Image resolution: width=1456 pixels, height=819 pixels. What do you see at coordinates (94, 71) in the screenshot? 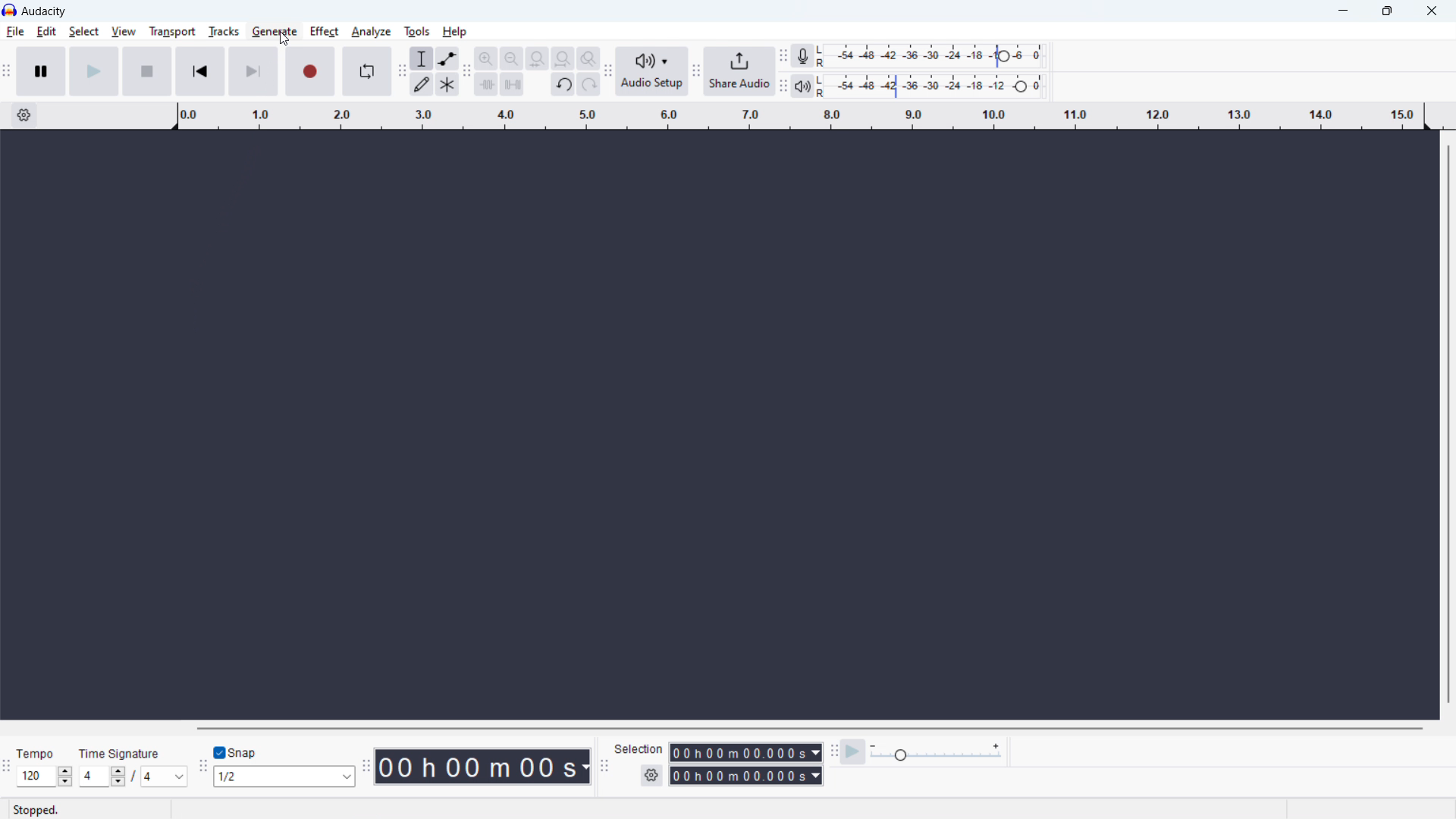
I see `play` at bounding box center [94, 71].